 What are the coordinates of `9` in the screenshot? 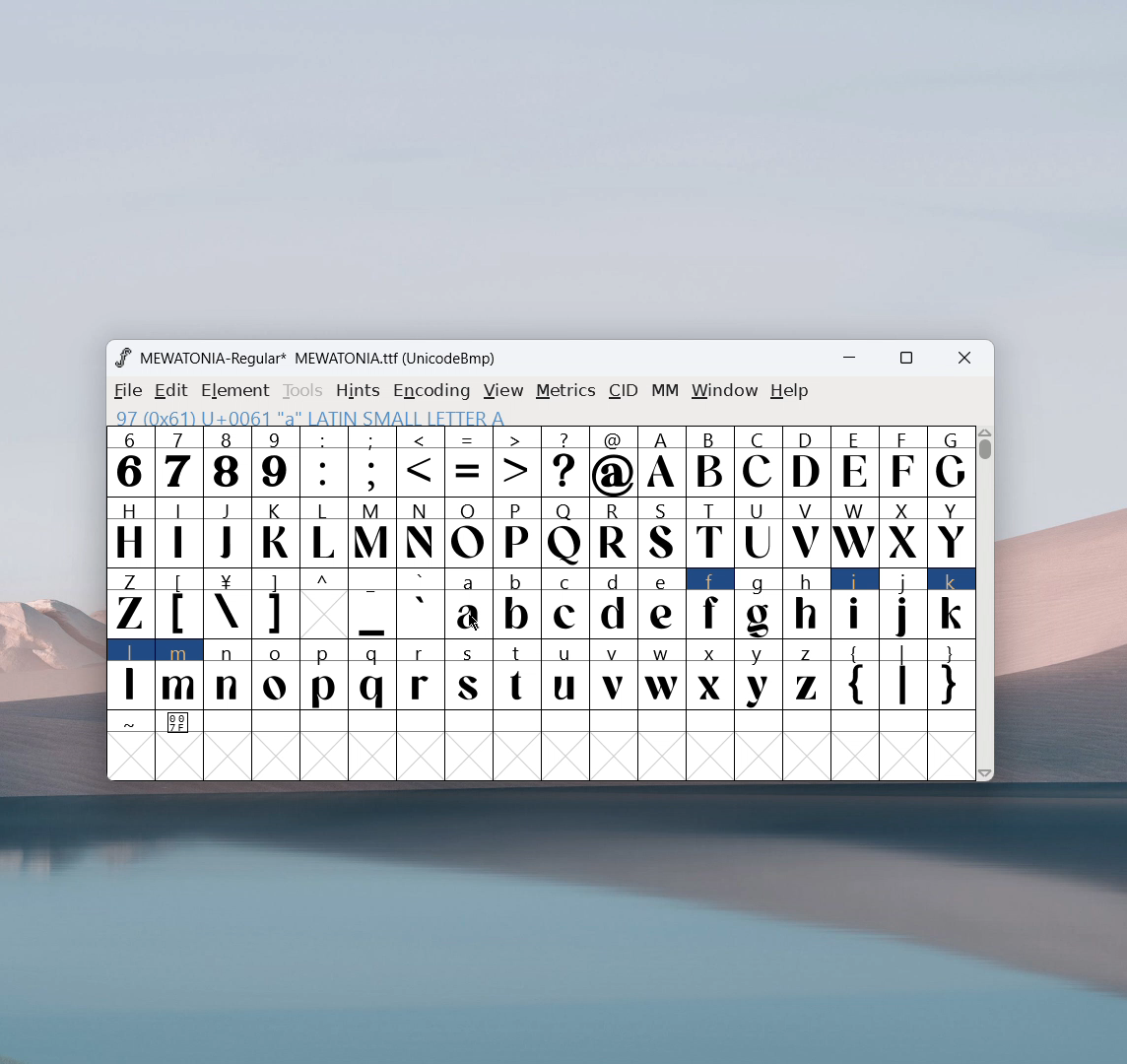 It's located at (275, 461).